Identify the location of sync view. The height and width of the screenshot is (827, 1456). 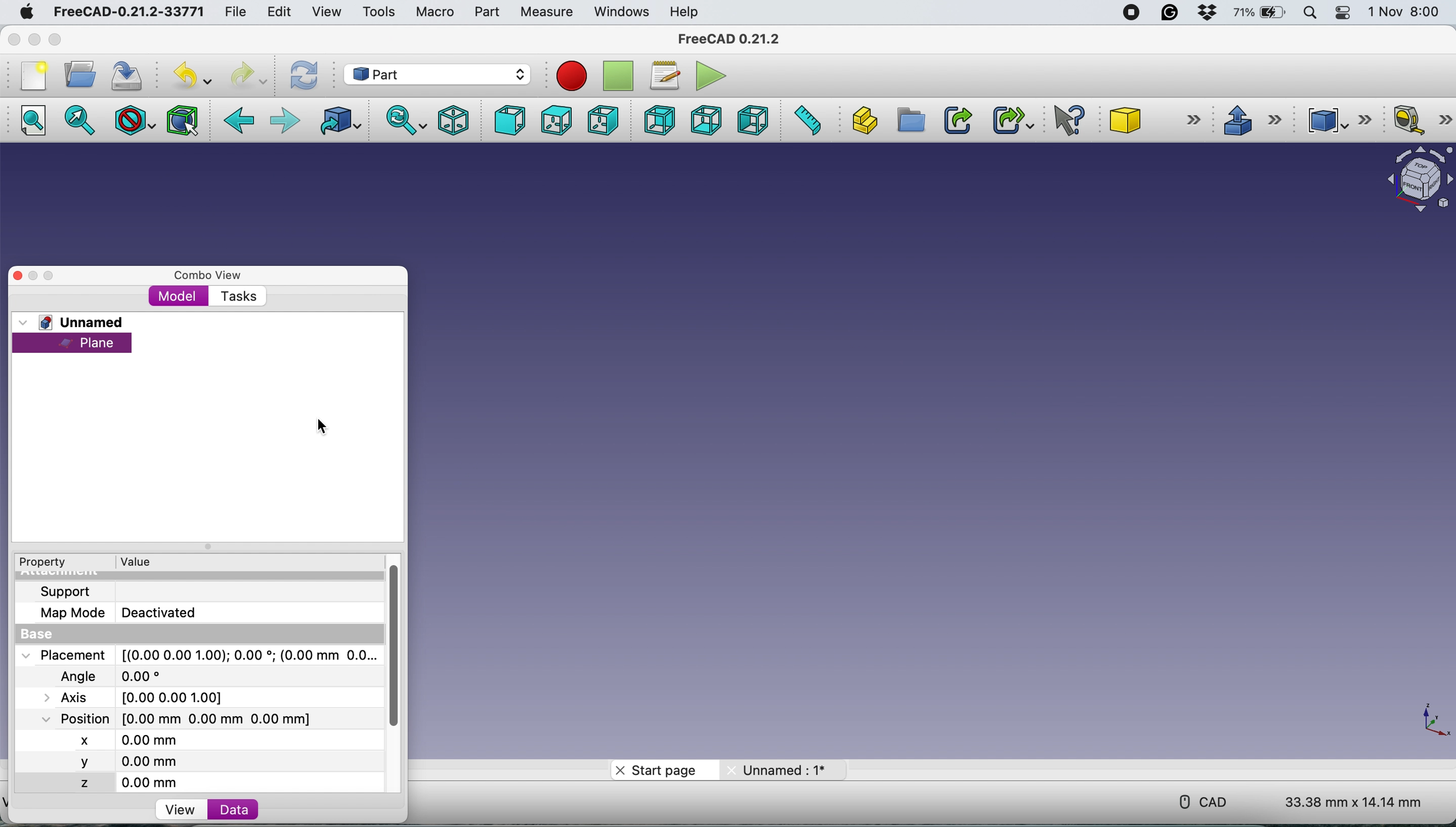
(409, 123).